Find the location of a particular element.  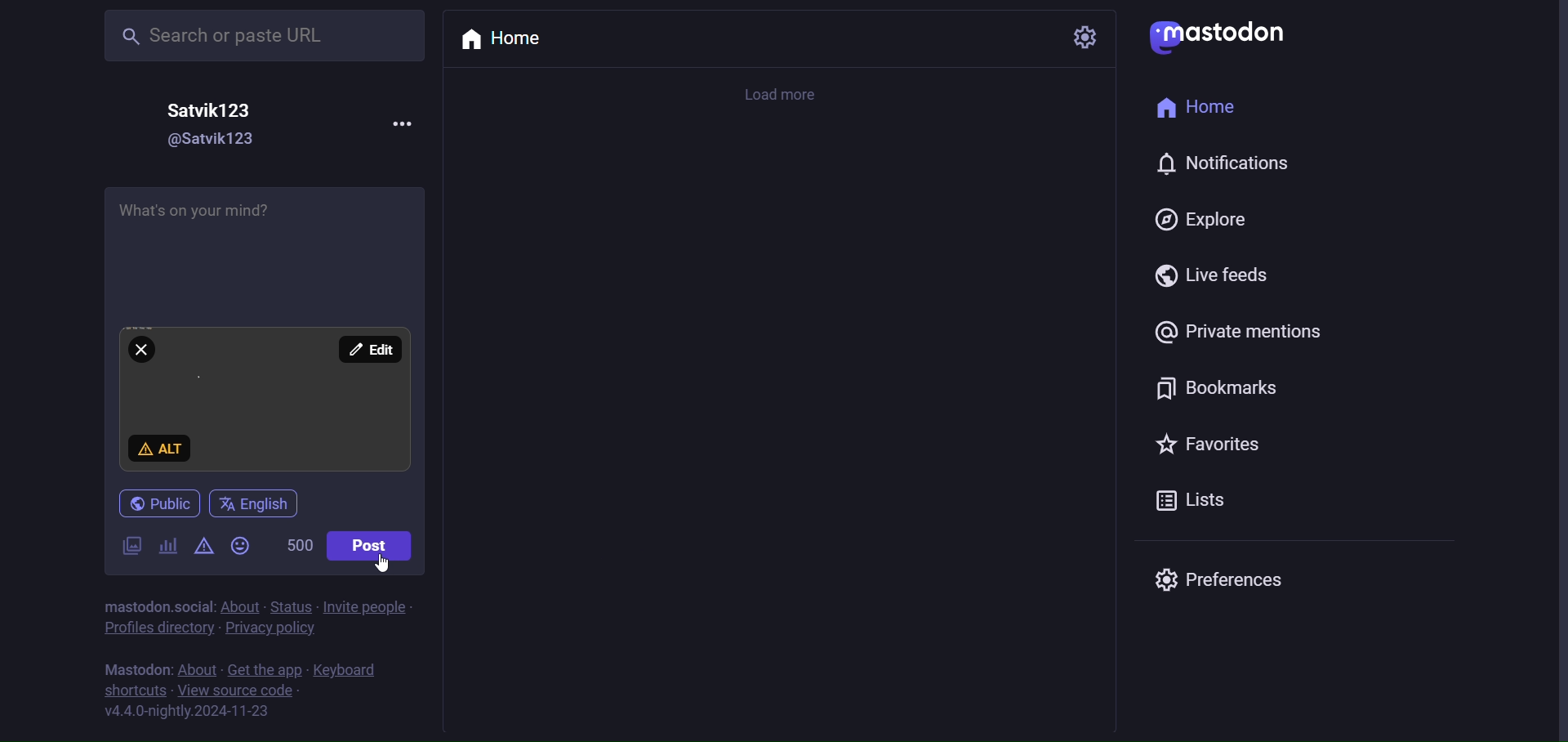

get the app is located at coordinates (265, 670).